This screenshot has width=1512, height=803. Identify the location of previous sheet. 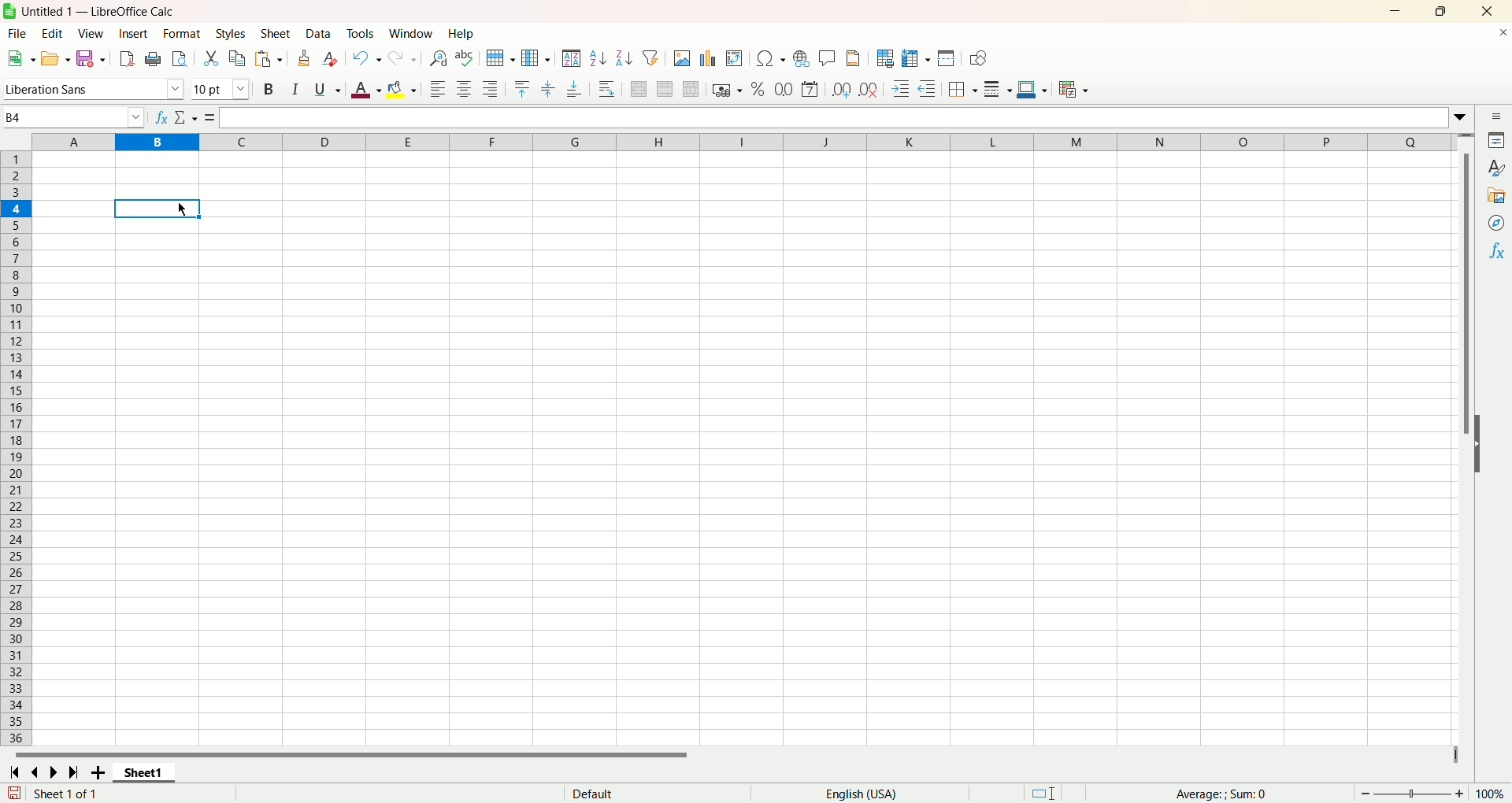
(38, 772).